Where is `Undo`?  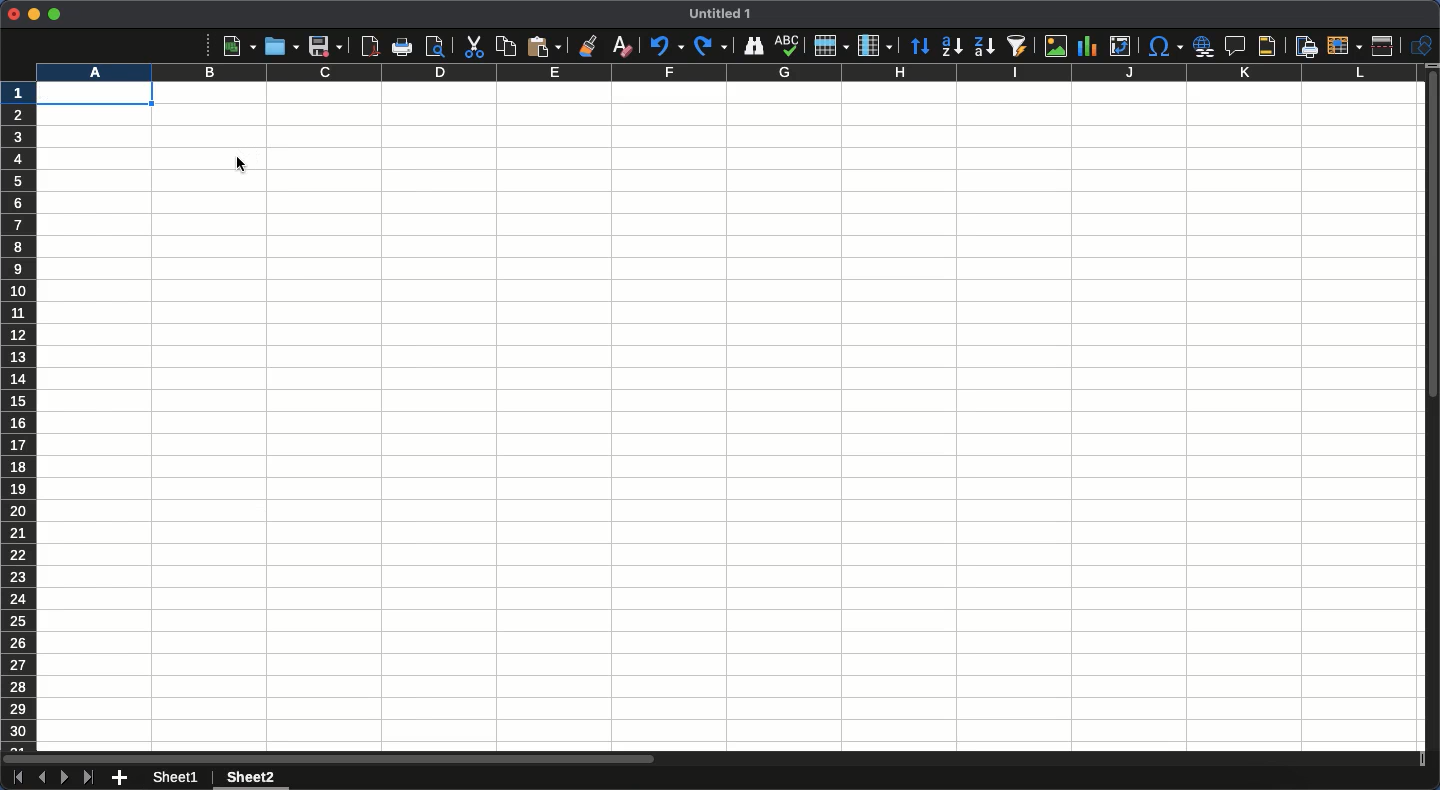 Undo is located at coordinates (665, 45).